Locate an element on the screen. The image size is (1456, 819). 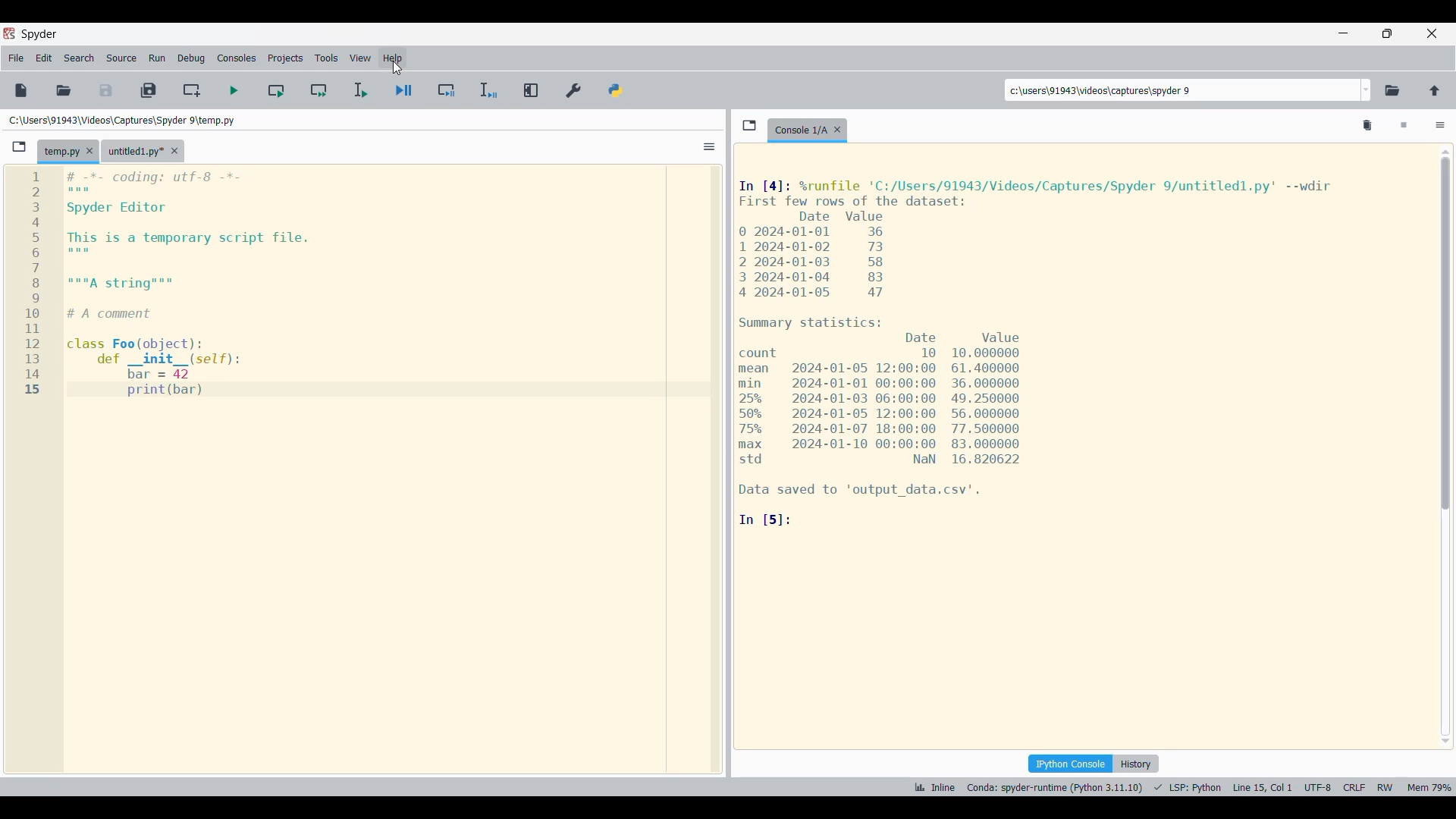
Save all files is located at coordinates (149, 90).